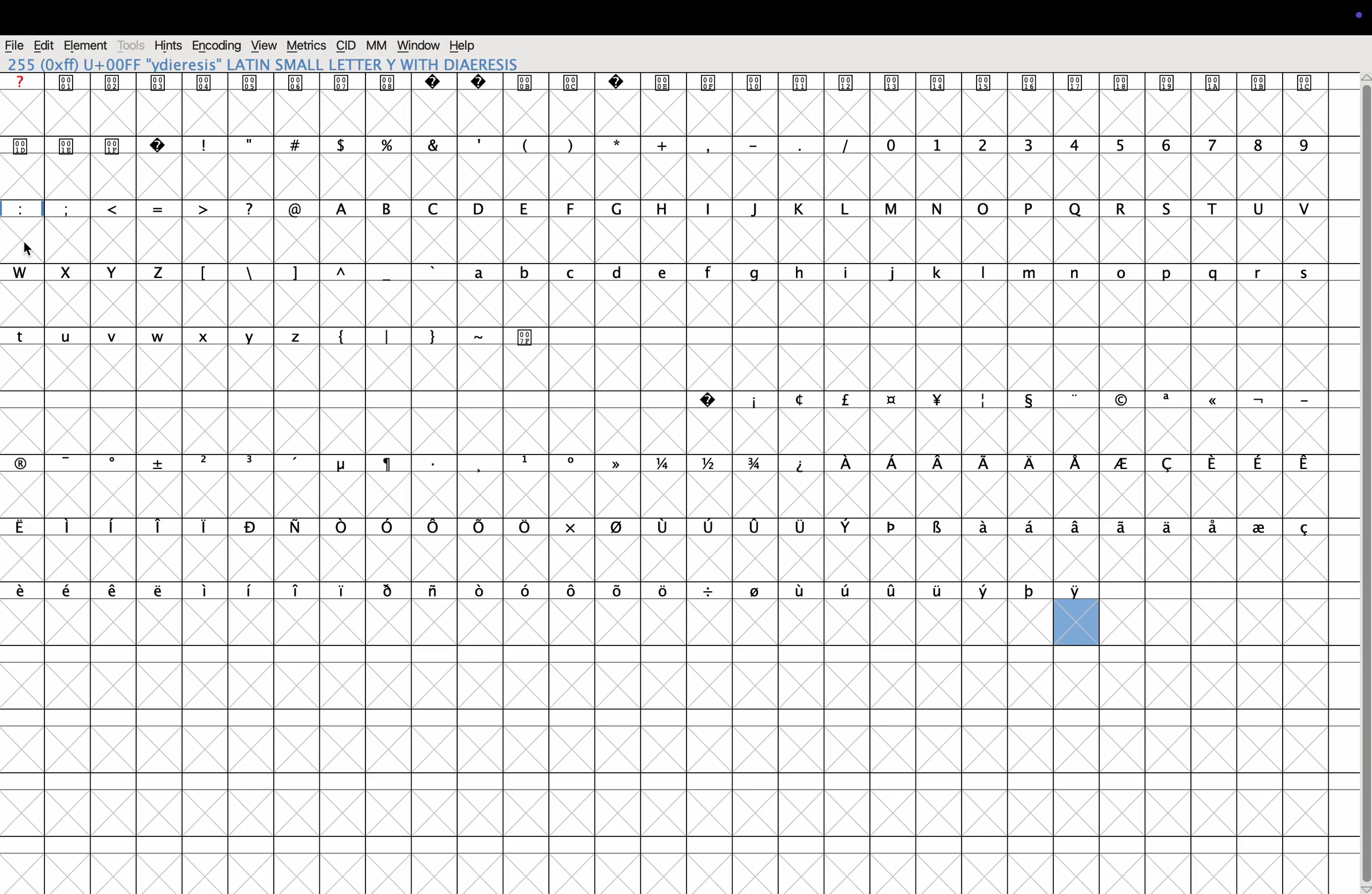 This screenshot has height=894, width=1372. Describe the element at coordinates (1363, 452) in the screenshot. I see `vertical scroll bar` at that location.